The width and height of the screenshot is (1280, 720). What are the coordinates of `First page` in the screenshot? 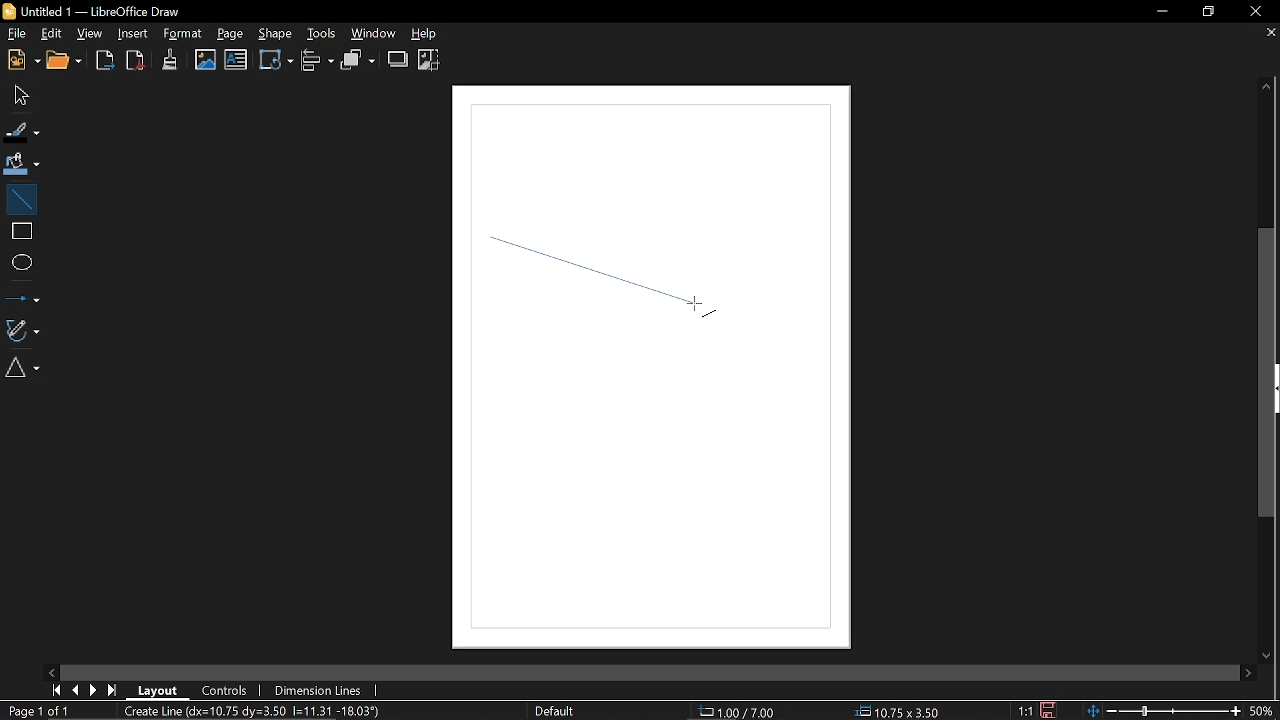 It's located at (54, 689).